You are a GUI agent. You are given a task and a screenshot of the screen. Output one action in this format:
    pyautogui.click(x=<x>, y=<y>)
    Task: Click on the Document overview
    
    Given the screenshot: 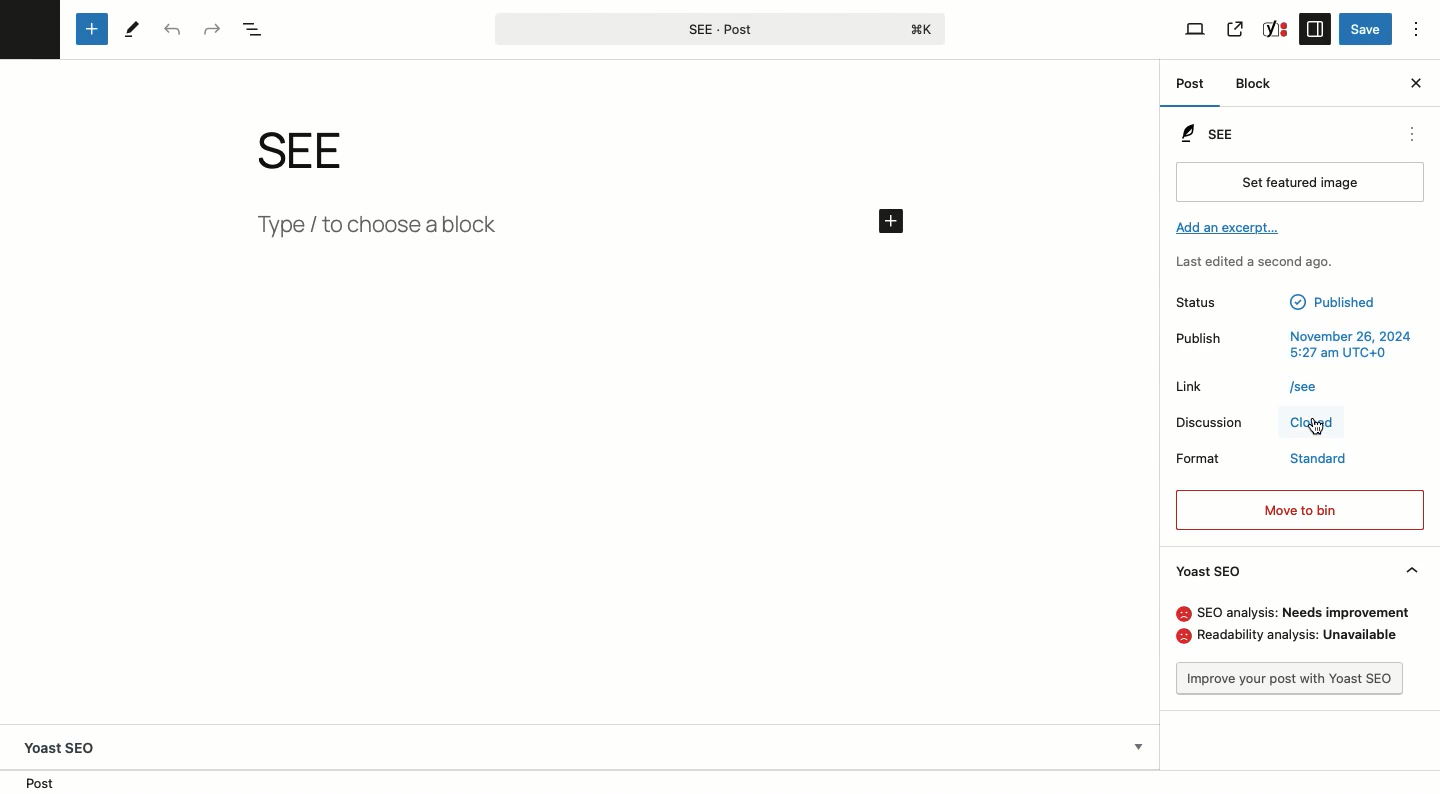 What is the action you would take?
    pyautogui.click(x=256, y=28)
    